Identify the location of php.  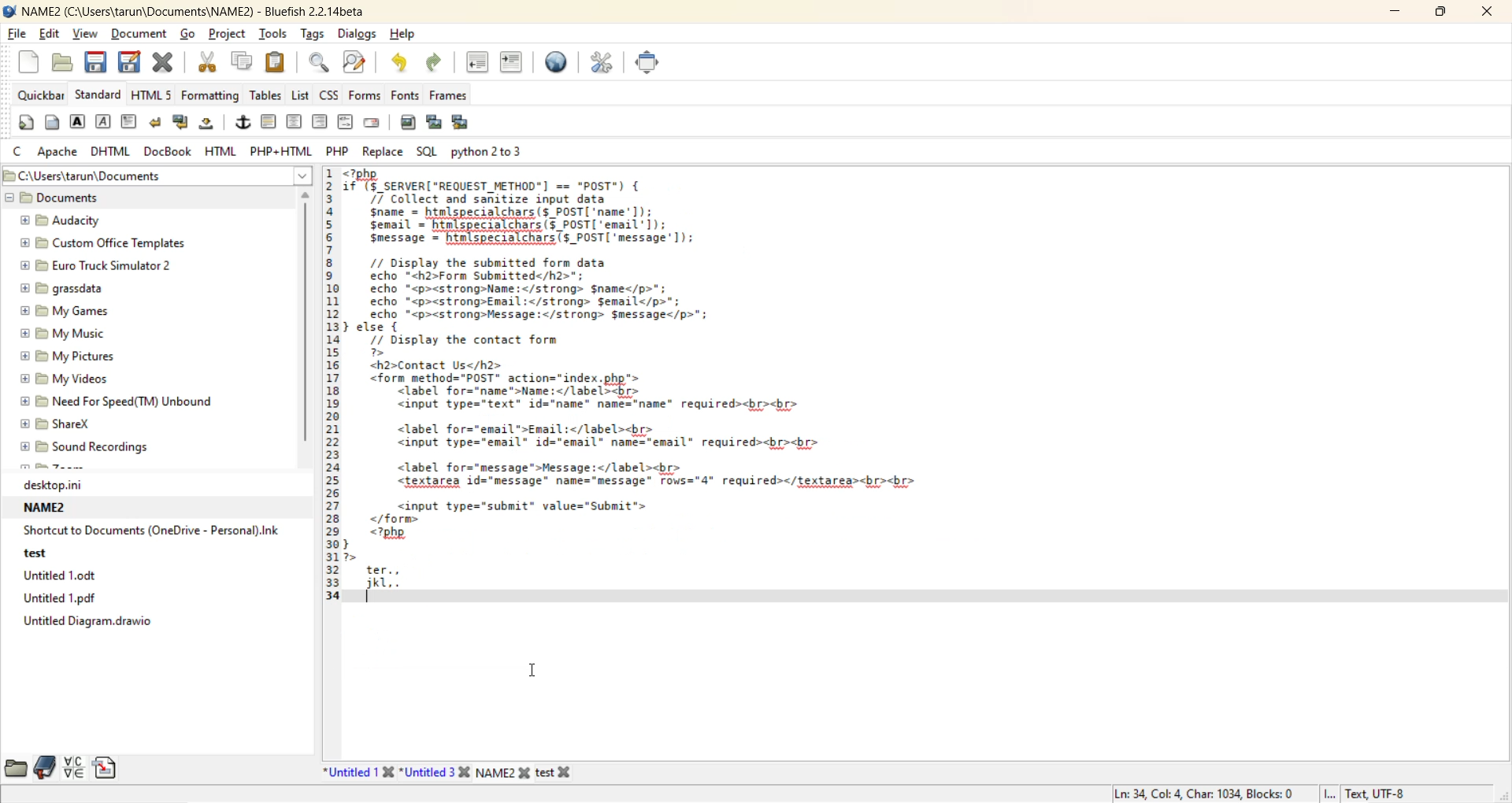
(338, 150).